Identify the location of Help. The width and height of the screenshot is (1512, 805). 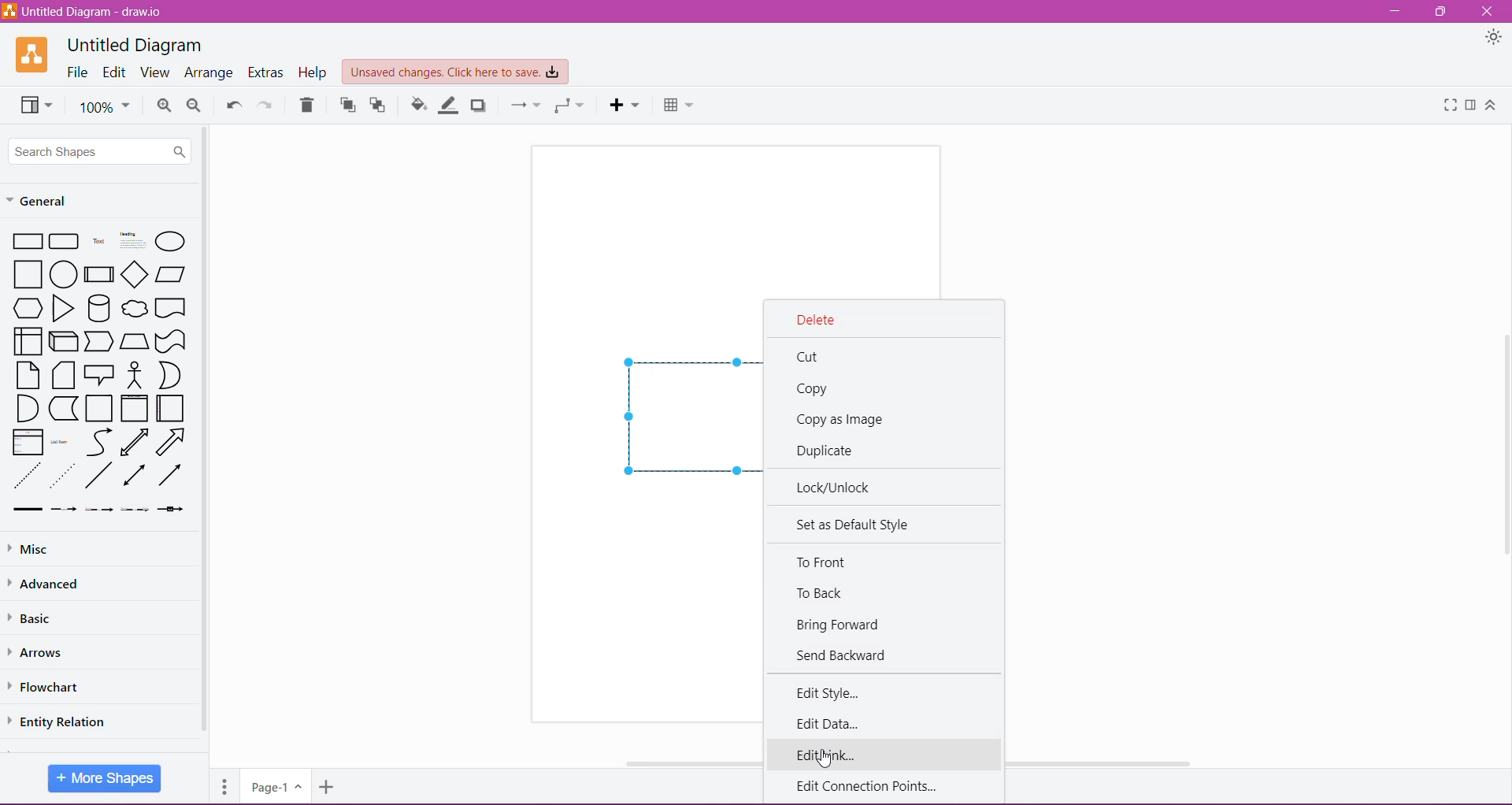
(313, 73).